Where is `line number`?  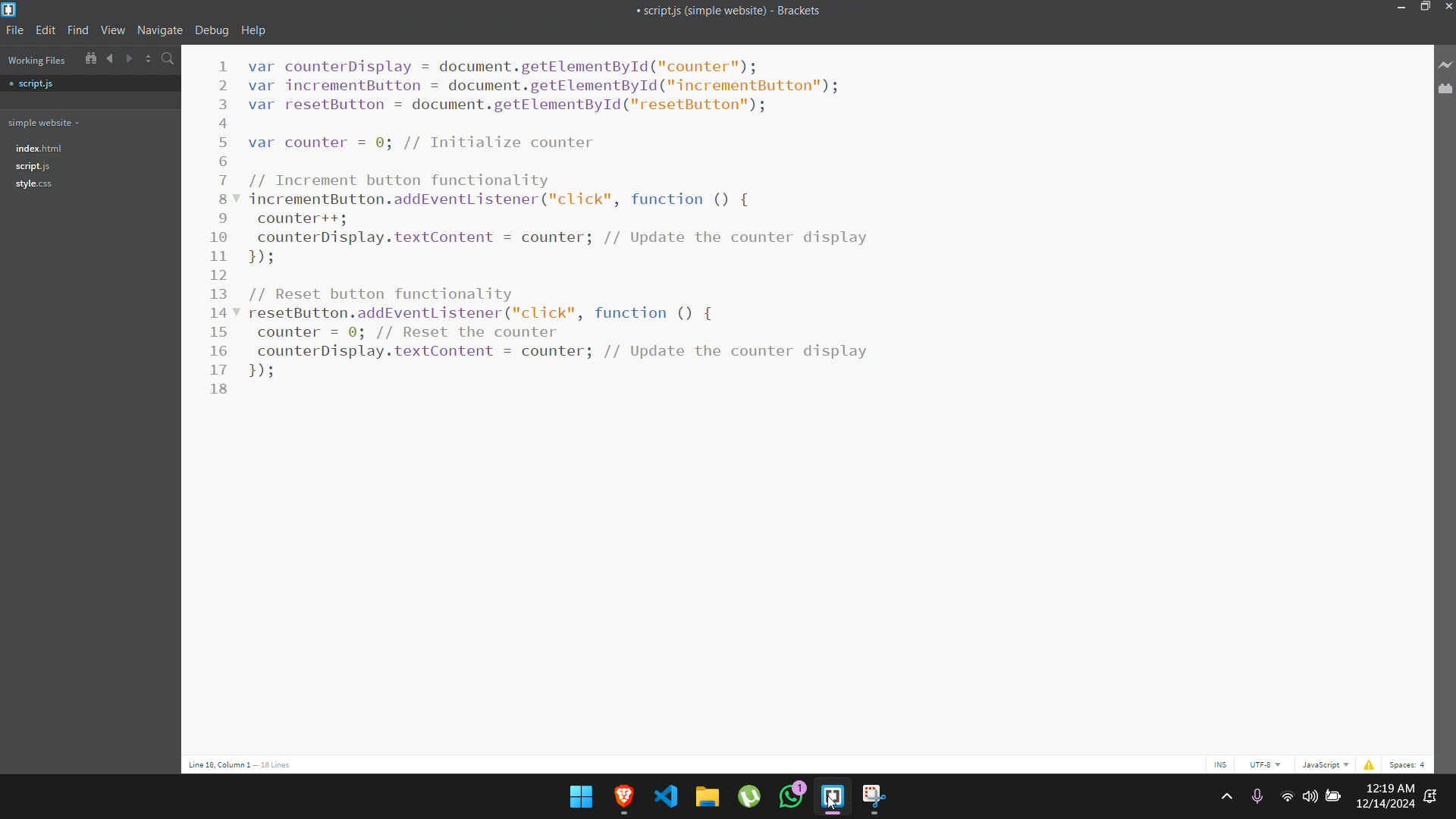
line number is located at coordinates (226, 240).